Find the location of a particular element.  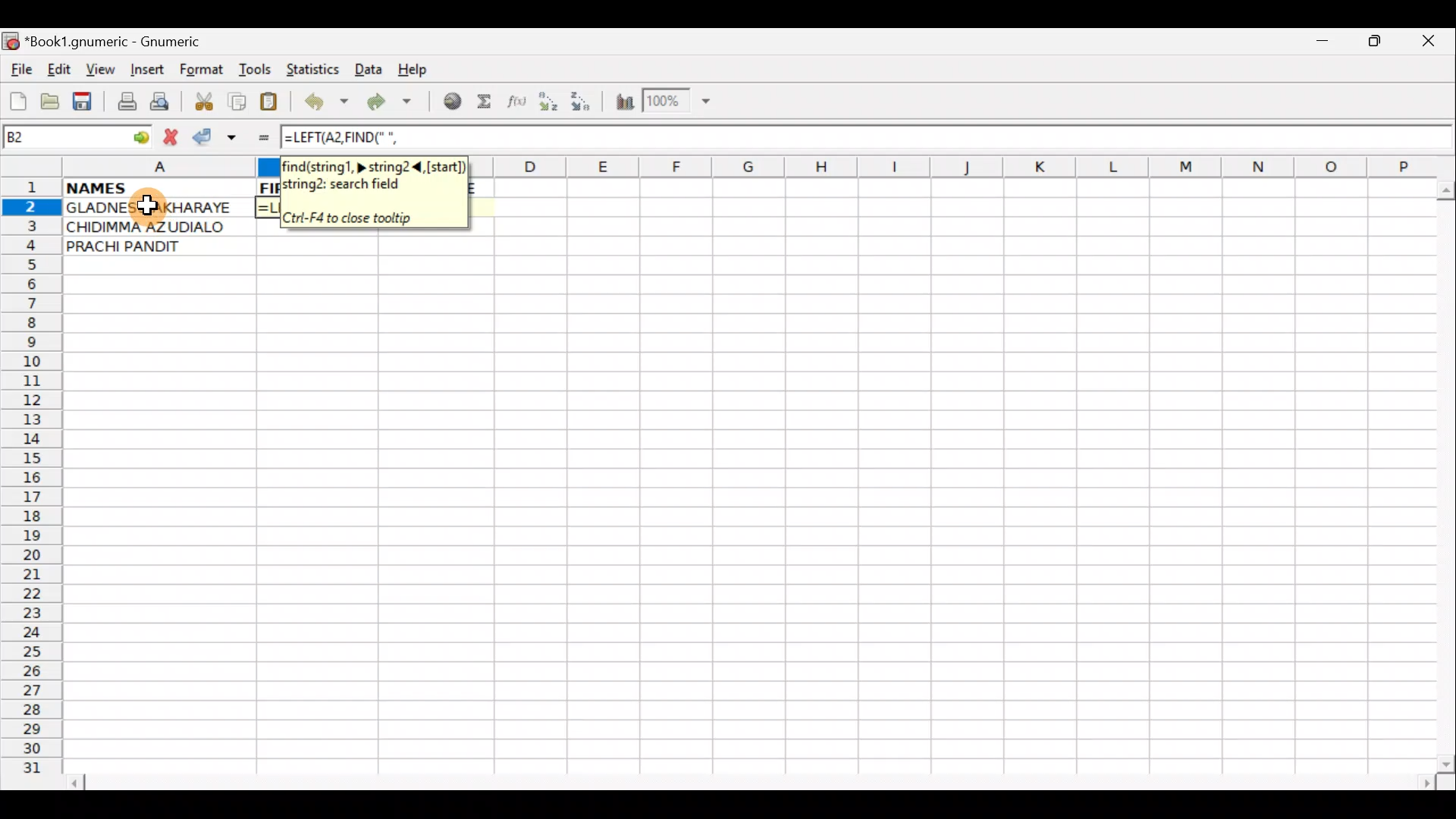

Redo undone action is located at coordinates (393, 104).